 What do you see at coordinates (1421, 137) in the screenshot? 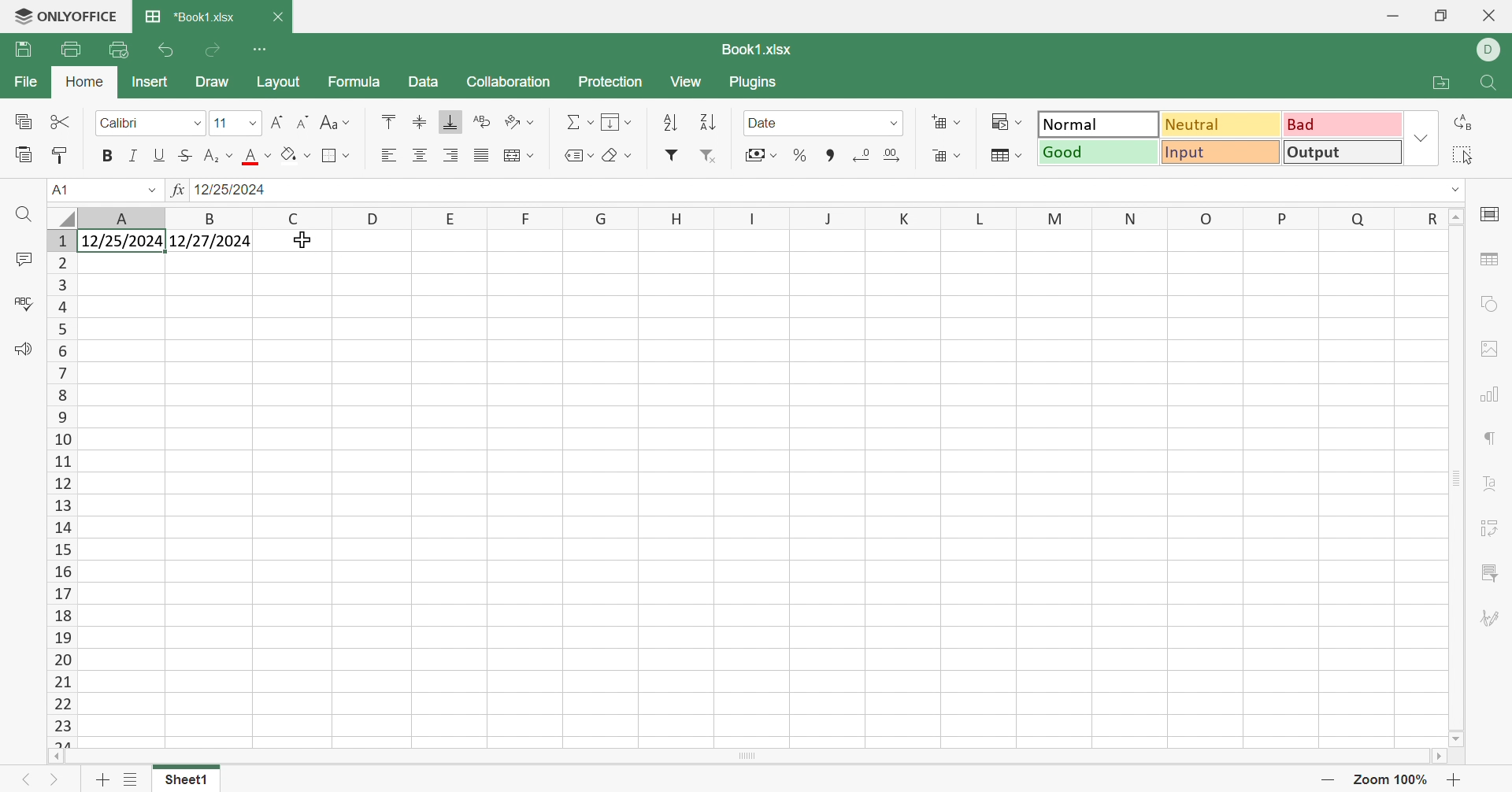
I see `Drop Down` at bounding box center [1421, 137].